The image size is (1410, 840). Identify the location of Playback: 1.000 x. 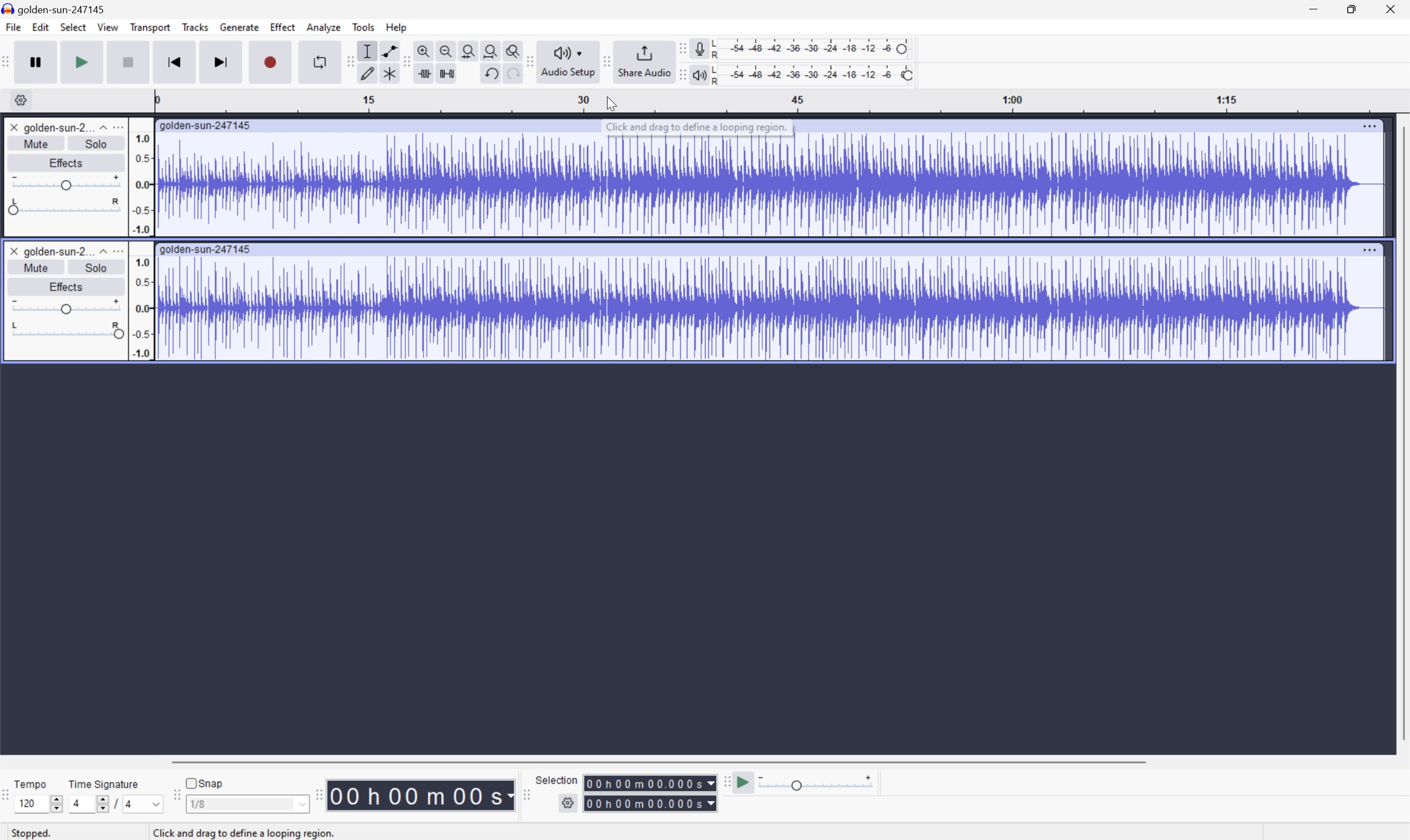
(816, 785).